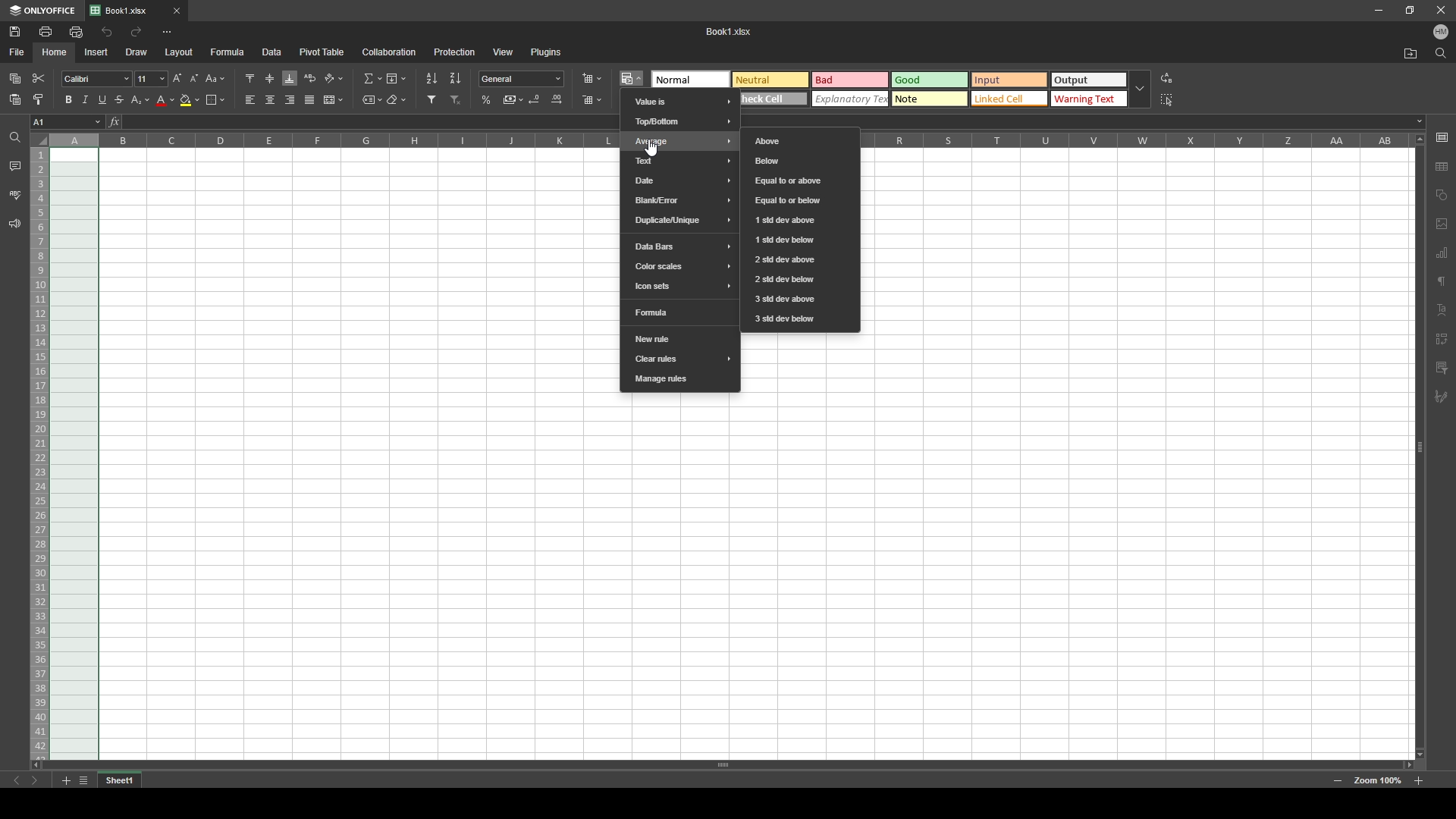  I want to click on icon sets, so click(680, 286).